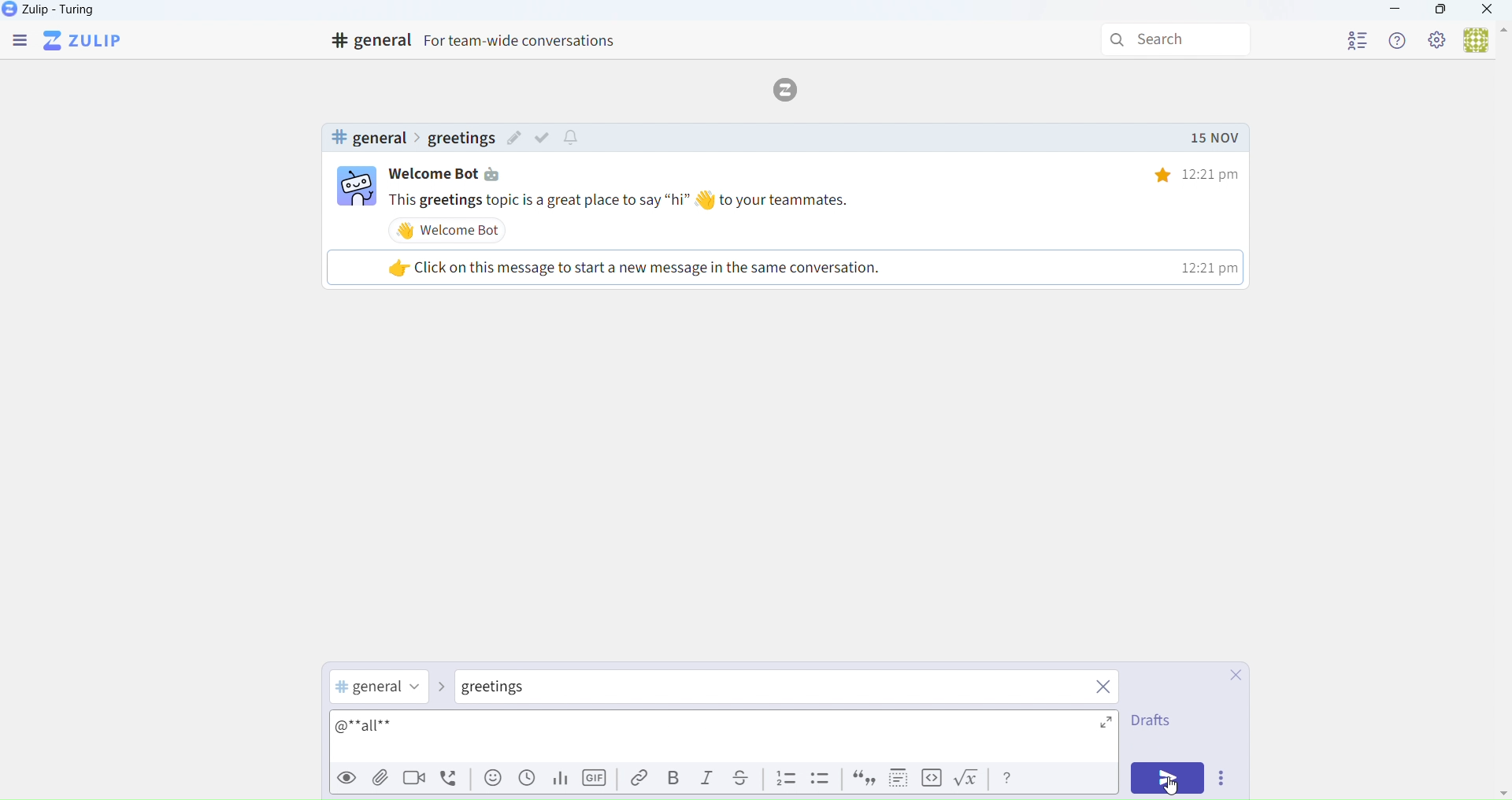 Image resolution: width=1512 pixels, height=800 pixels. I want to click on Drafts, so click(1150, 724).